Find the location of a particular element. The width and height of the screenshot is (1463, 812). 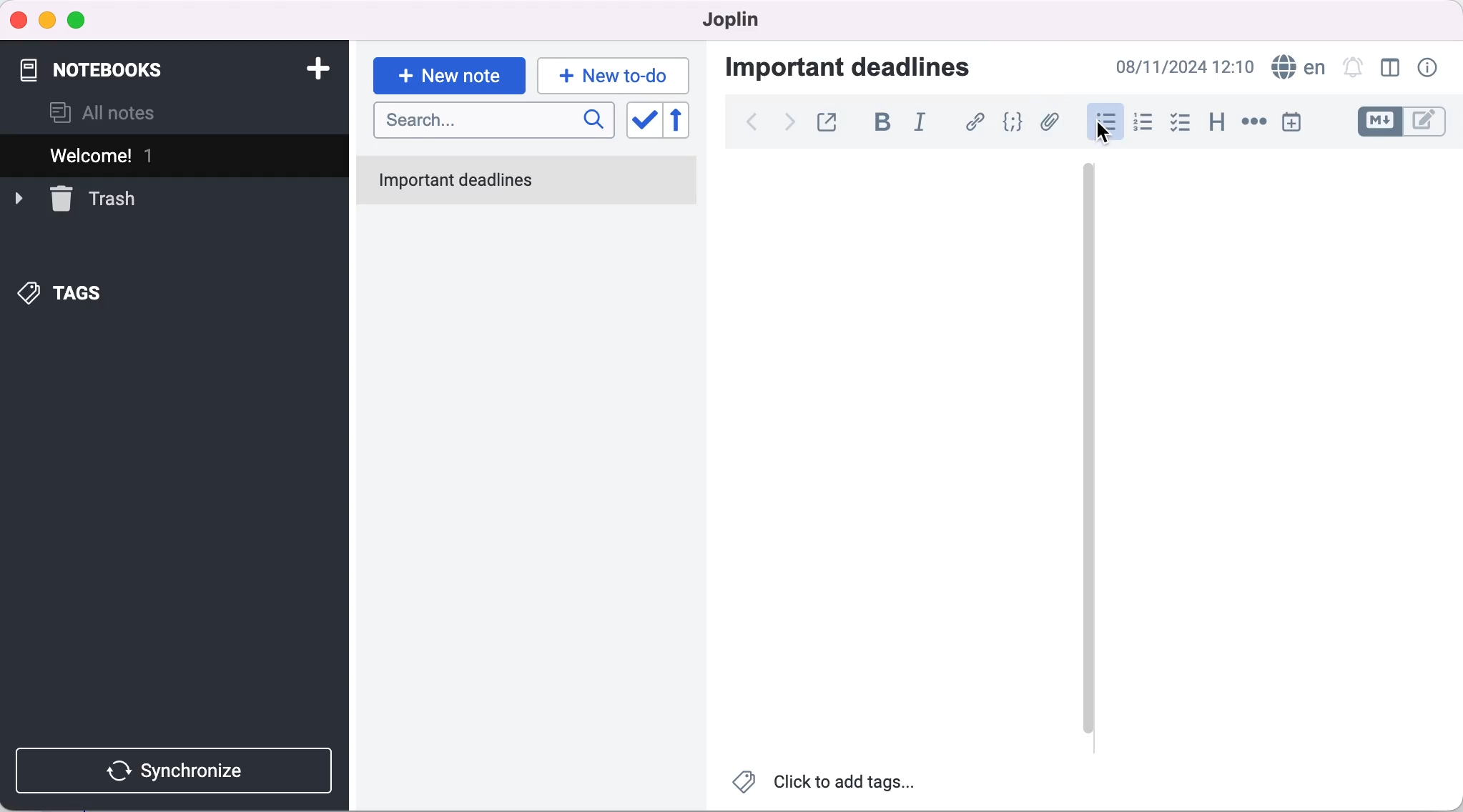

reverse sort order is located at coordinates (685, 124).